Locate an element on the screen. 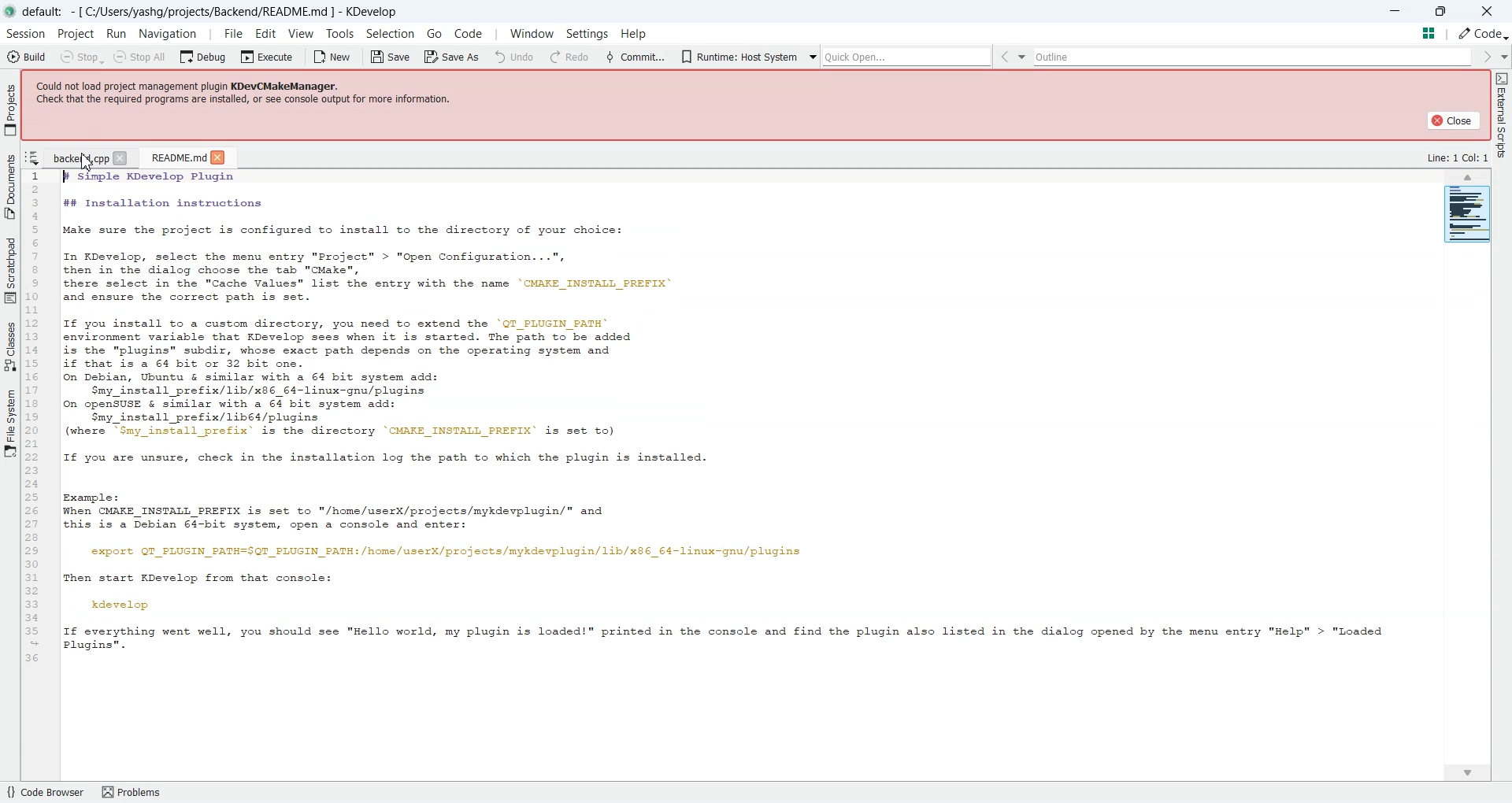 The height and width of the screenshot is (803, 1512). Classes is located at coordinates (11, 346).